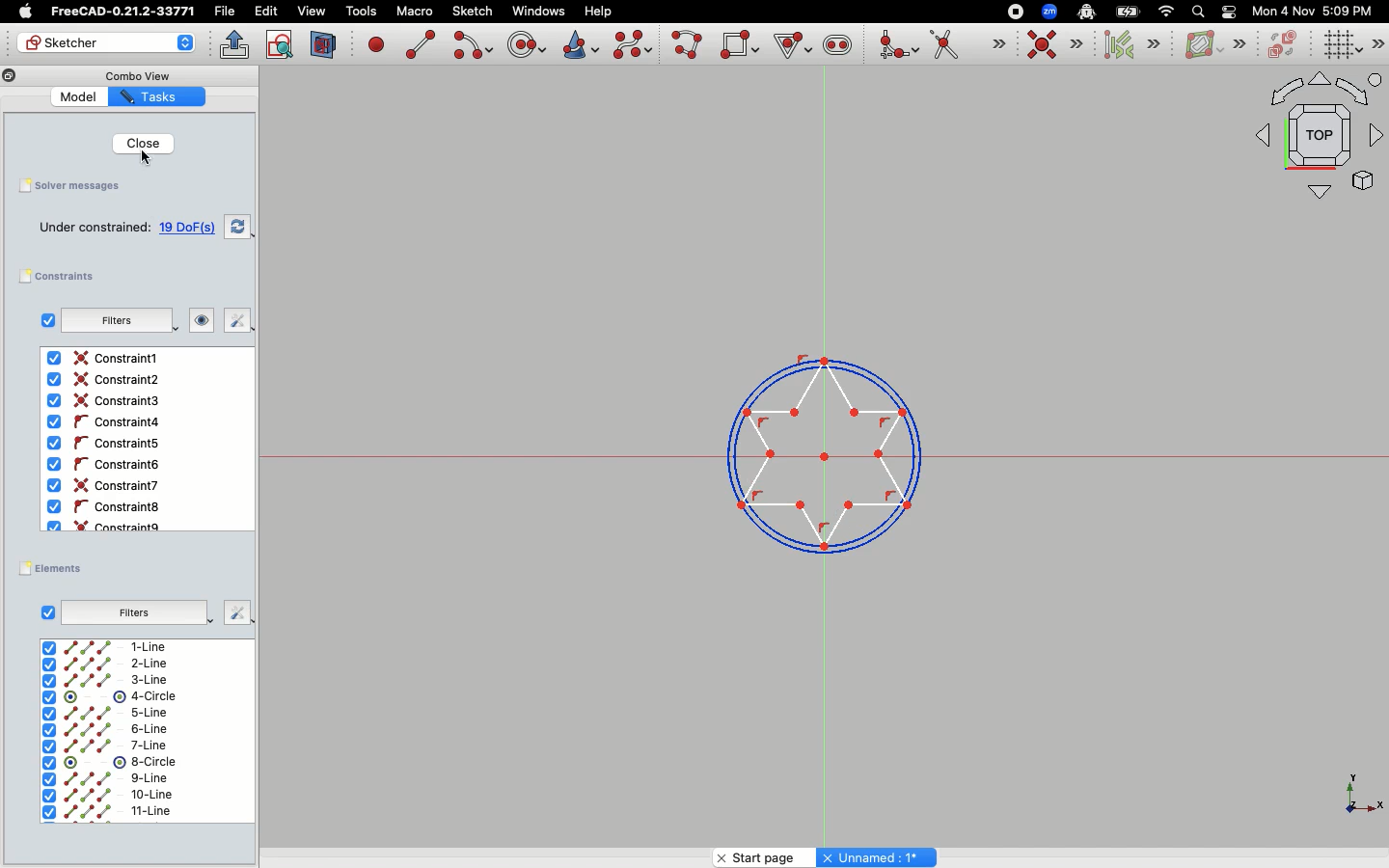 The width and height of the screenshot is (1389, 868). What do you see at coordinates (1340, 45) in the screenshot?
I see `Toggle grid` at bounding box center [1340, 45].